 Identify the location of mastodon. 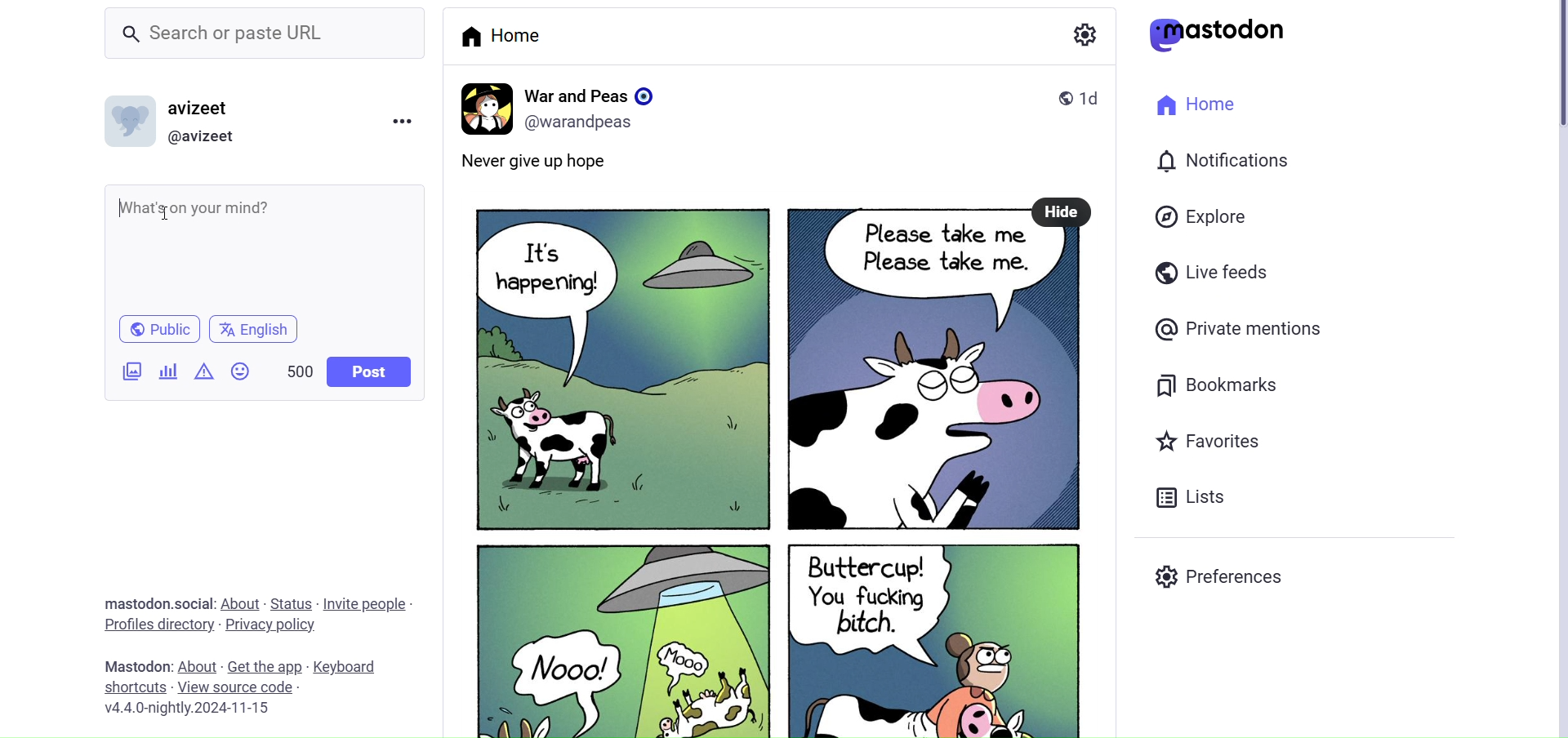
(1224, 34).